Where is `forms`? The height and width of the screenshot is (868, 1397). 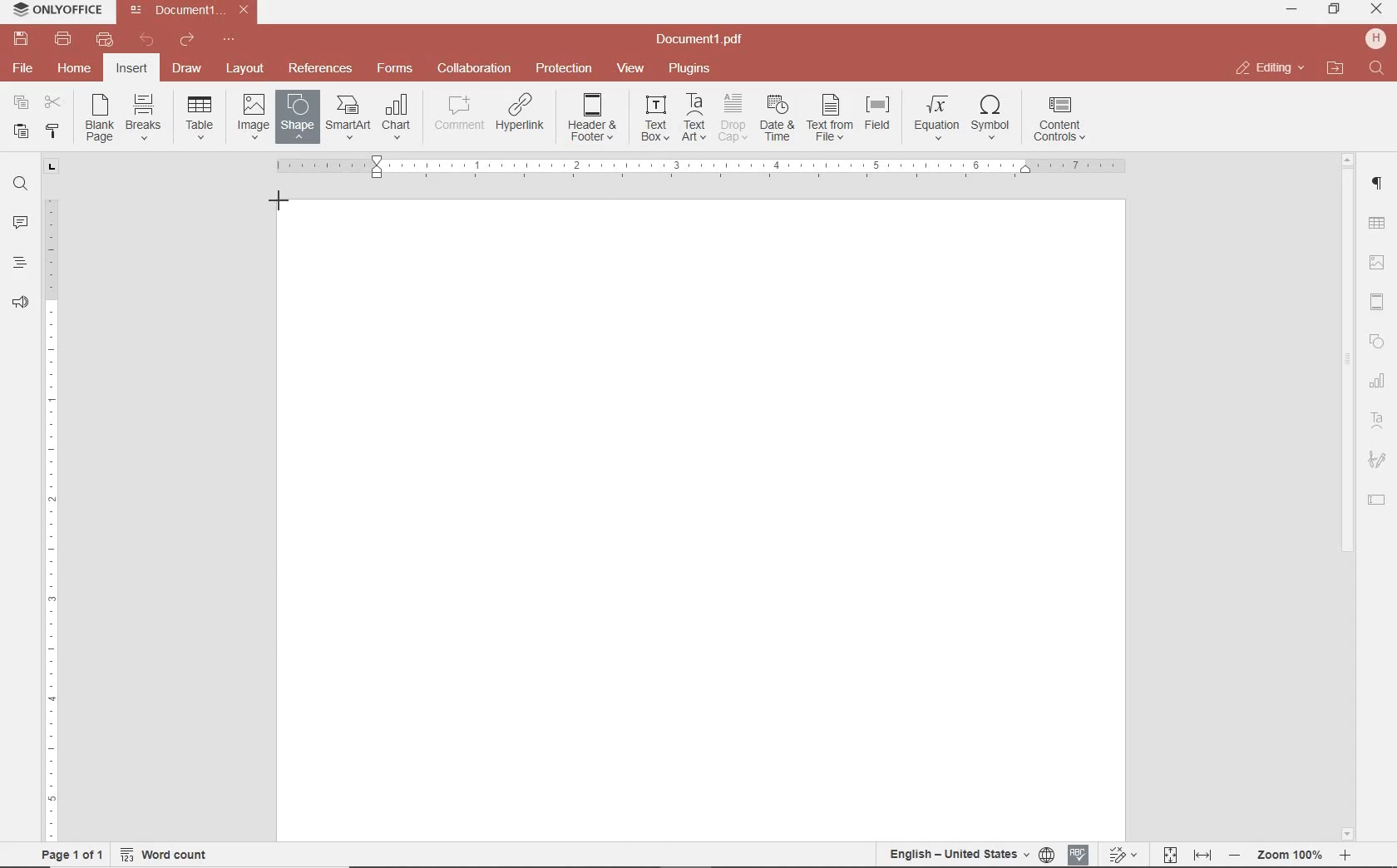 forms is located at coordinates (395, 68).